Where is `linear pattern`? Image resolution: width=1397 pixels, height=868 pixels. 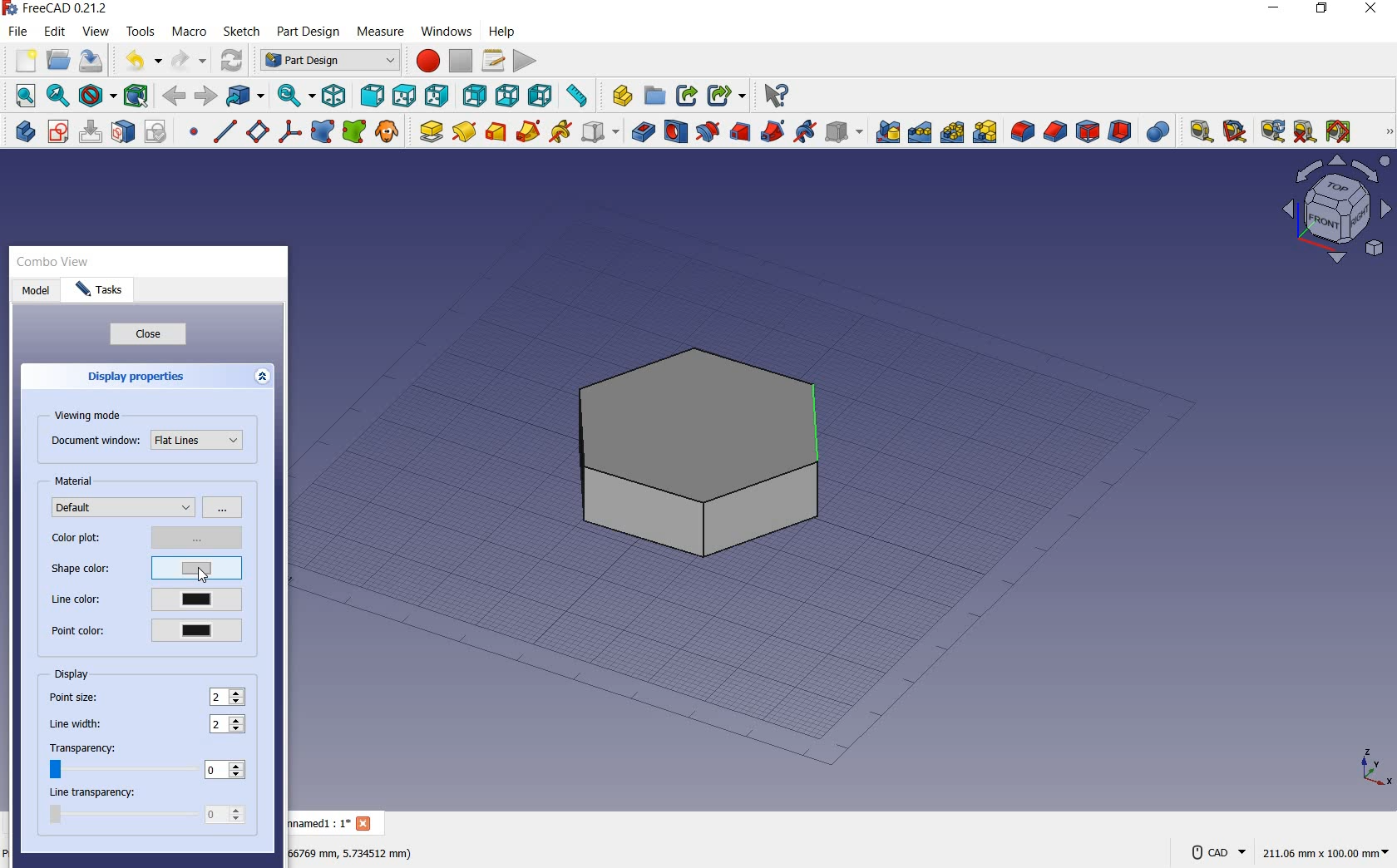
linear pattern is located at coordinates (920, 133).